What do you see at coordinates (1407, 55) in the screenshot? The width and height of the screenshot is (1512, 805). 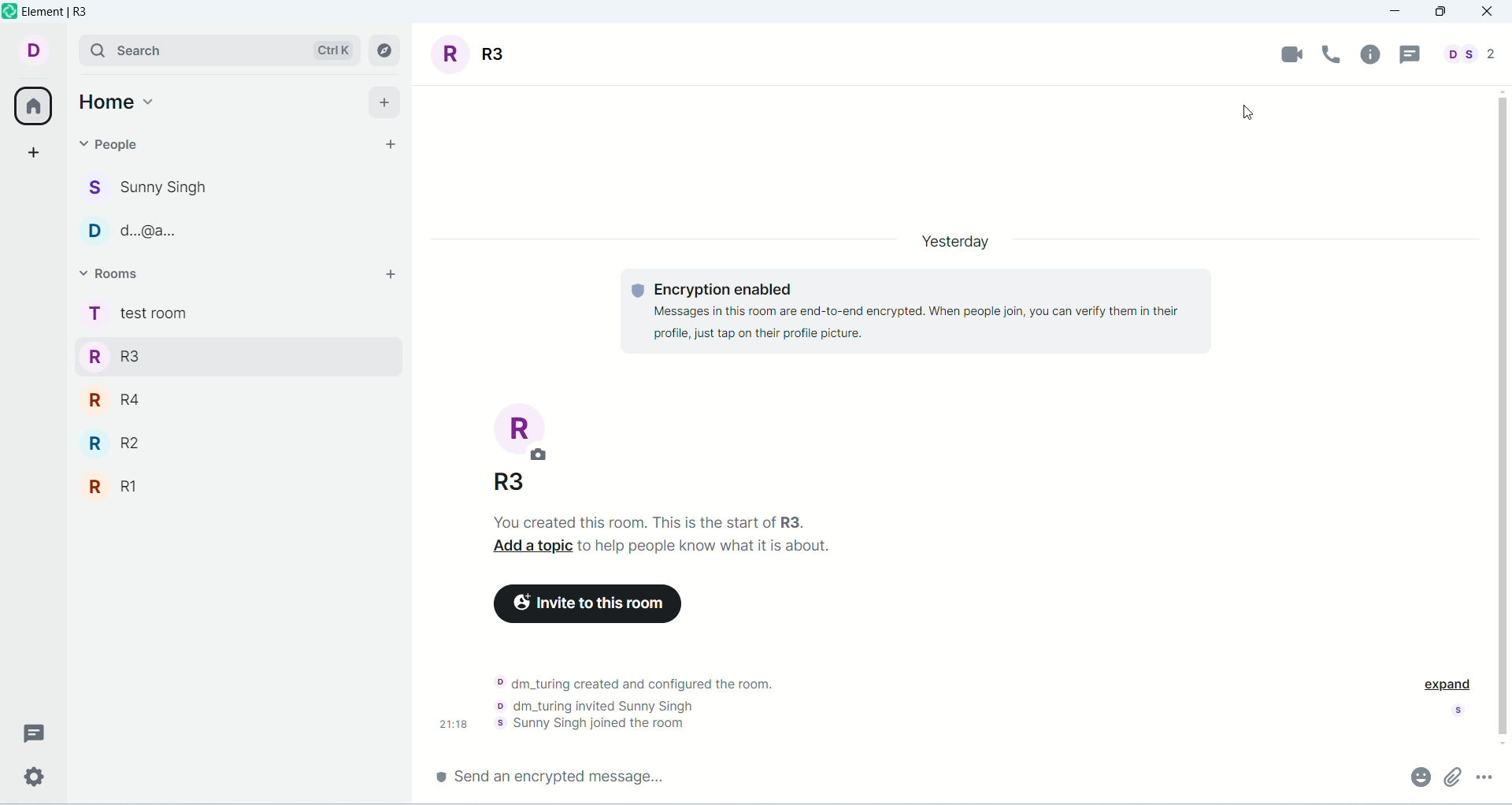 I see `threads` at bounding box center [1407, 55].